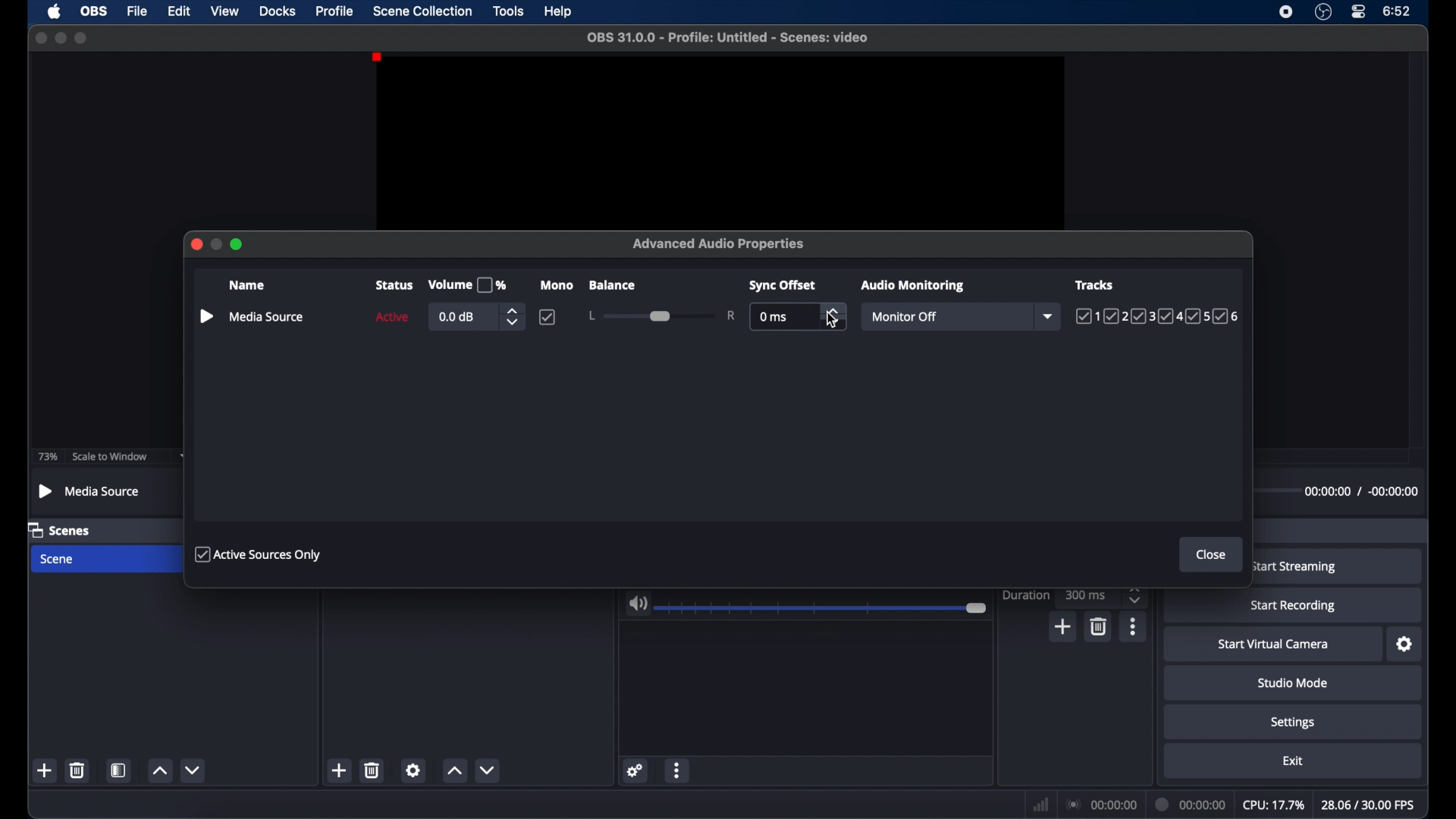  I want to click on tracks, so click(1156, 315).